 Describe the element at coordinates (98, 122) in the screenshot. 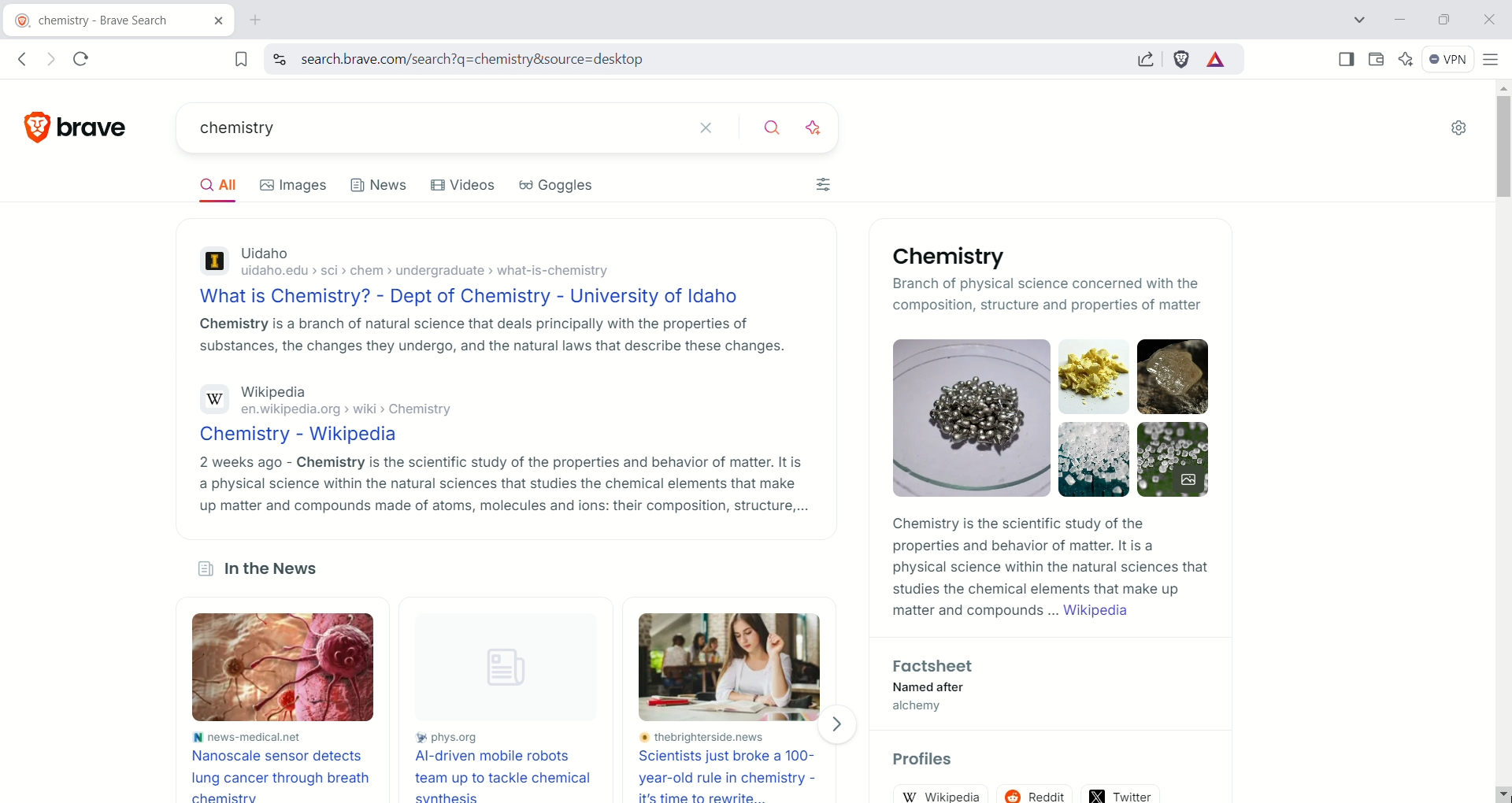

I see `brave` at that location.